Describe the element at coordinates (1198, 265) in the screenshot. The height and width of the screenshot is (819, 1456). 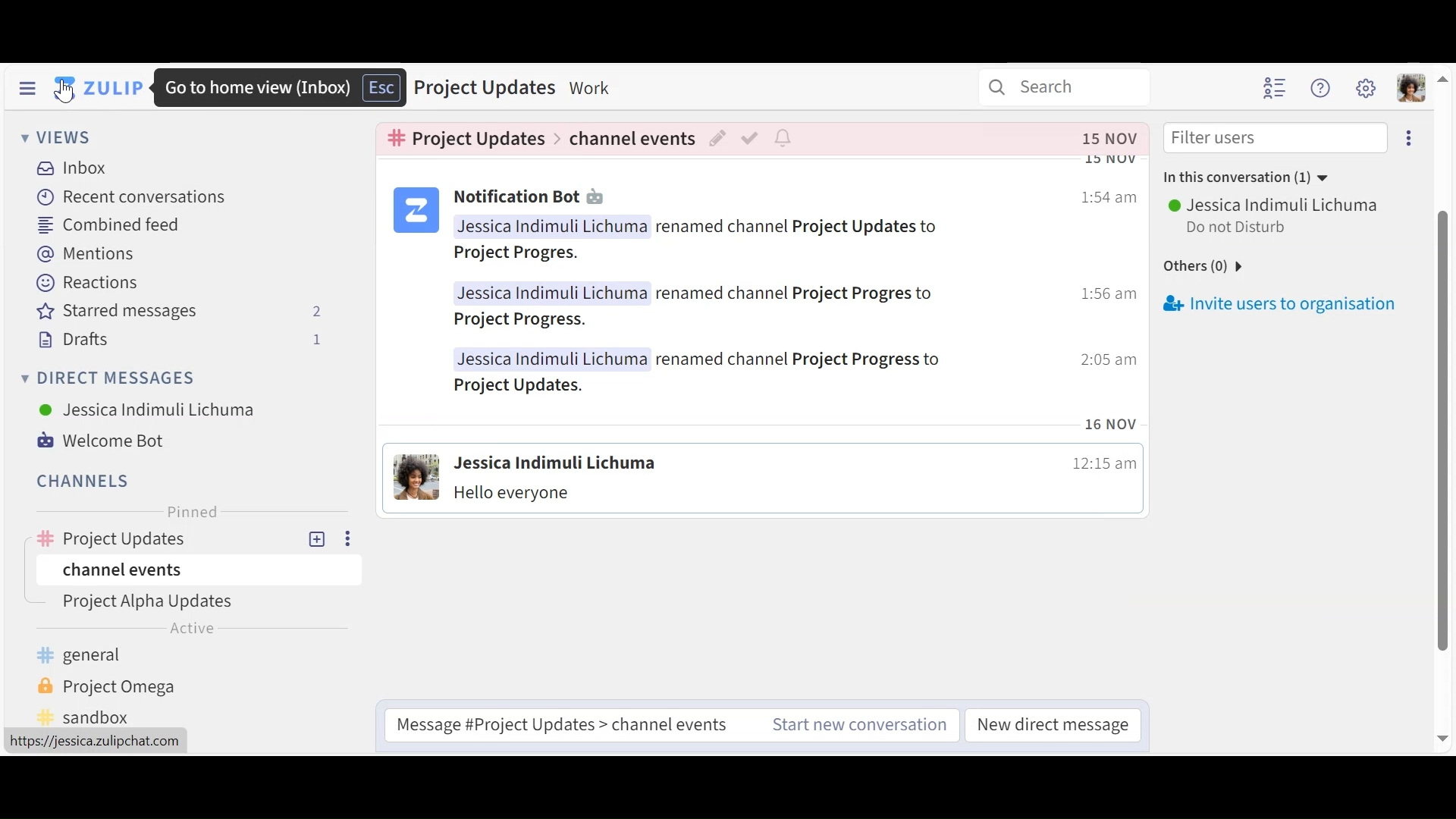
I see `Others (0)` at that location.